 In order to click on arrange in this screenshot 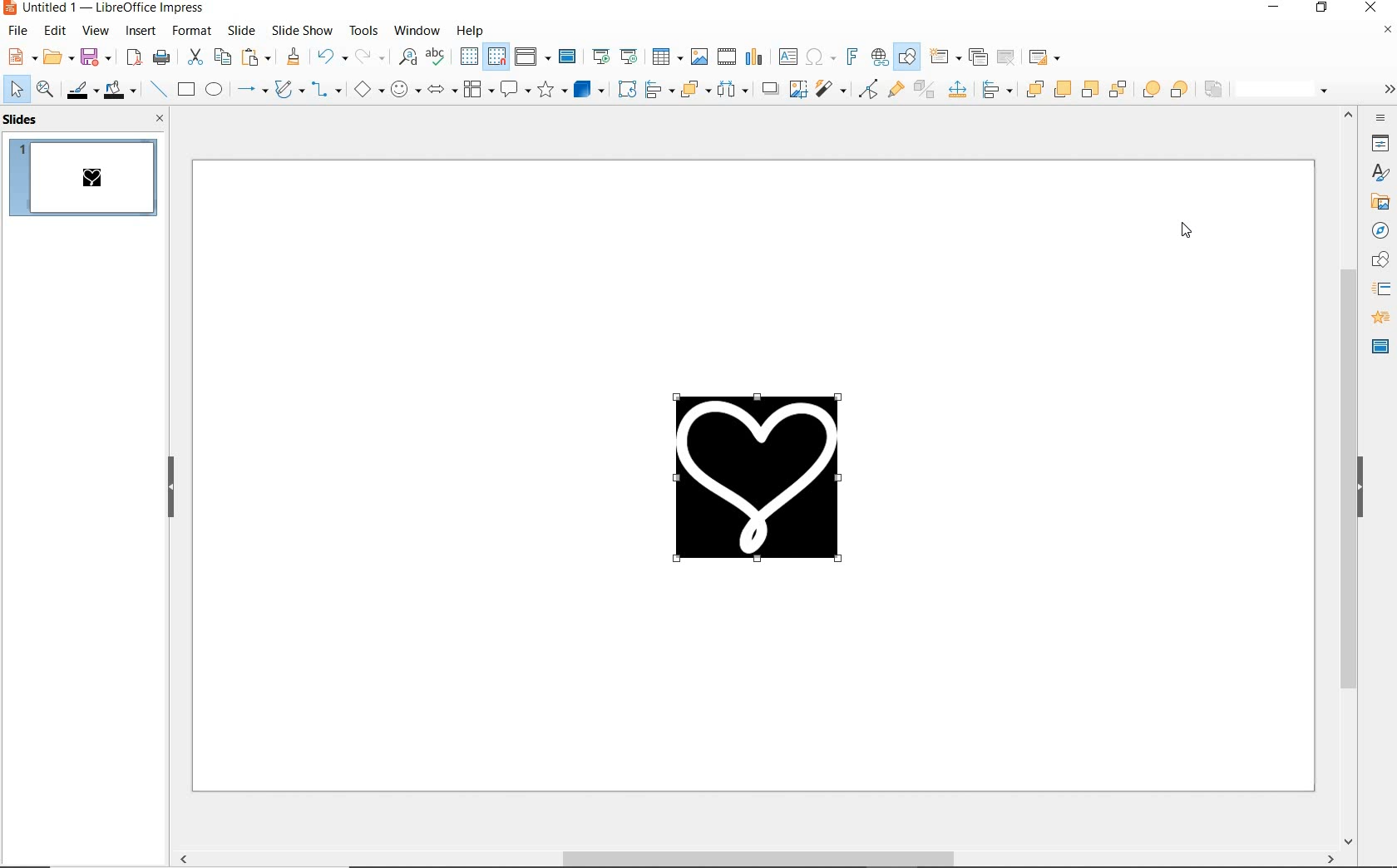, I will do `click(693, 90)`.